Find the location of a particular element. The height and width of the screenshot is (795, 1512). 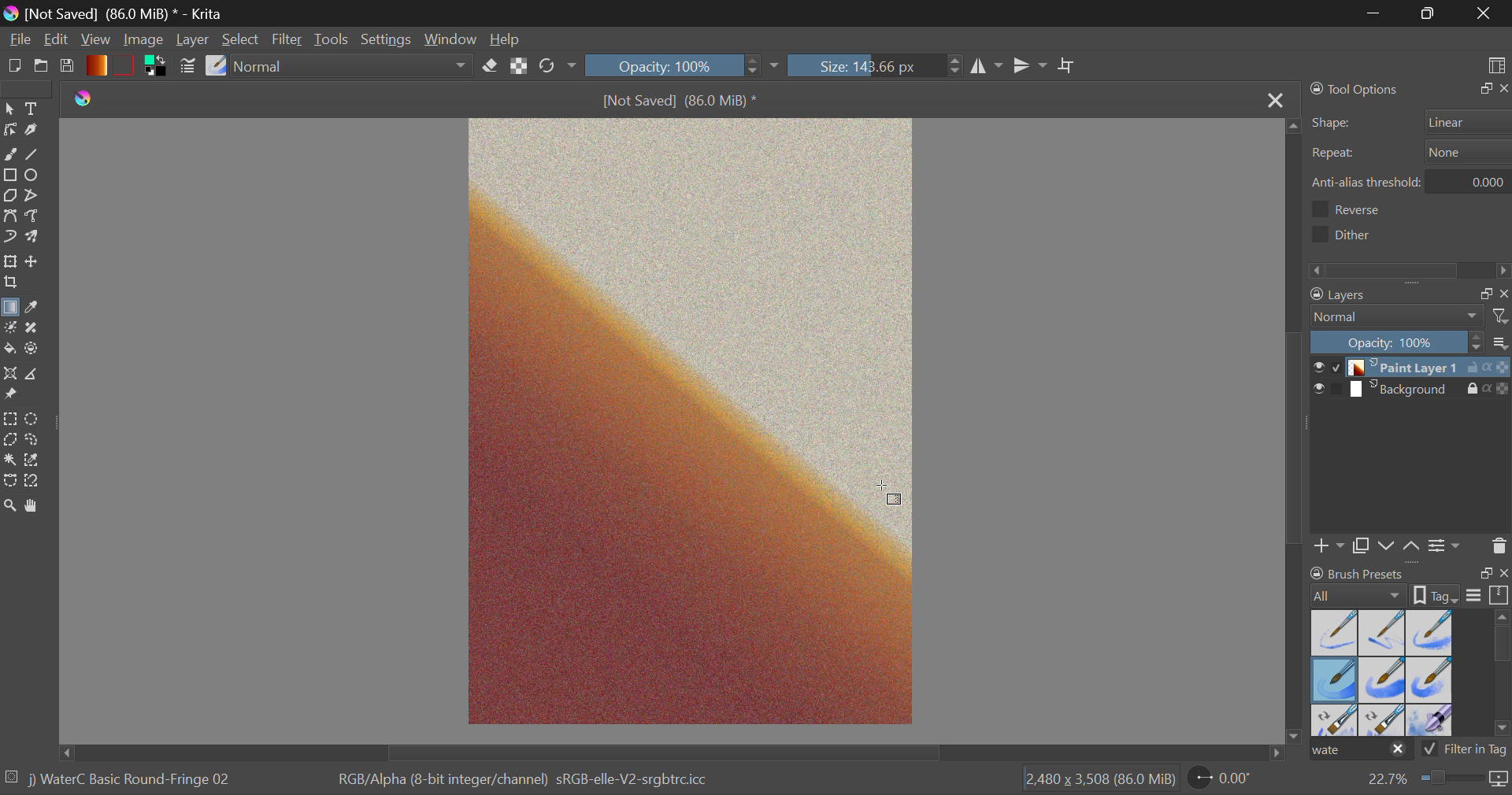

Colorize Mask Tool is located at coordinates (9, 329).